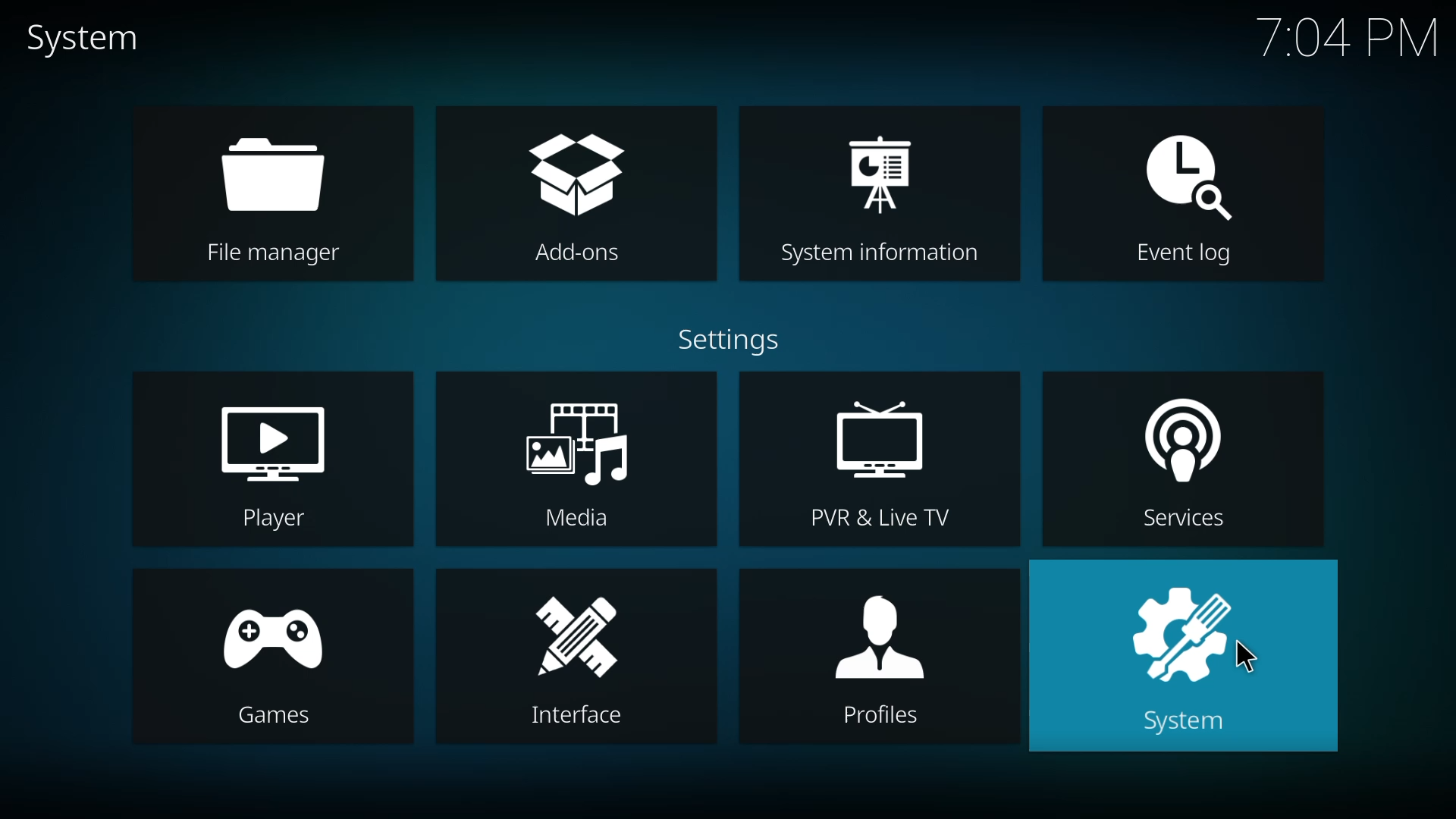  What do you see at coordinates (883, 197) in the screenshot?
I see `system information` at bounding box center [883, 197].